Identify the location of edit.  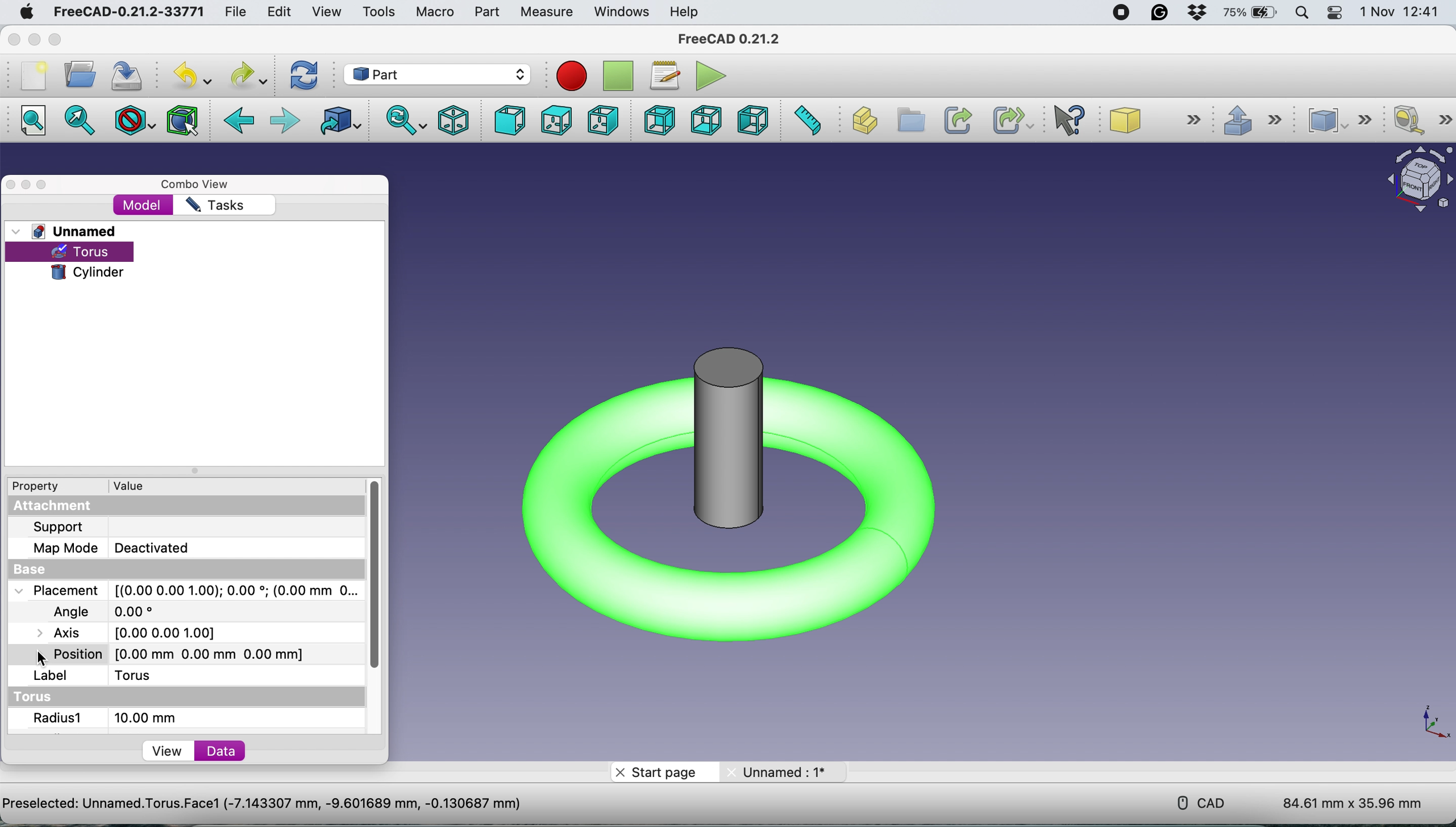
(277, 12).